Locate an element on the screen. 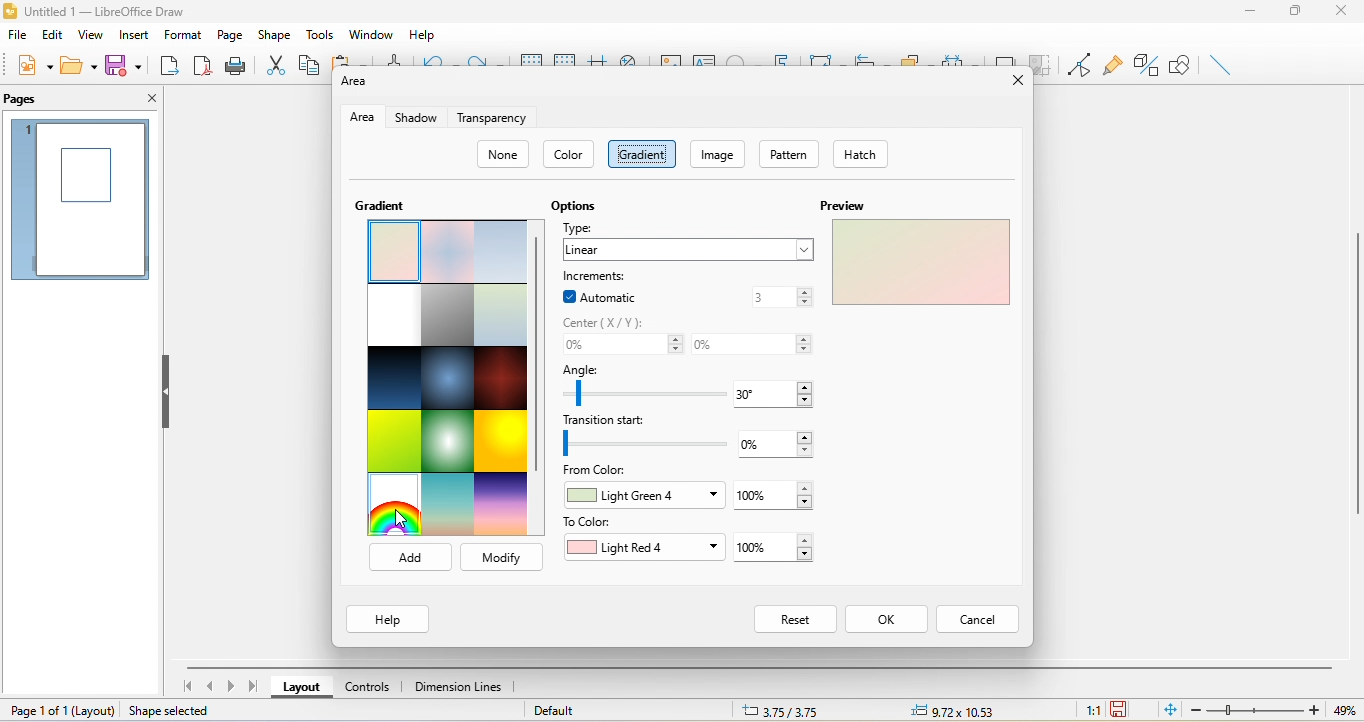  last page is located at coordinates (254, 687).